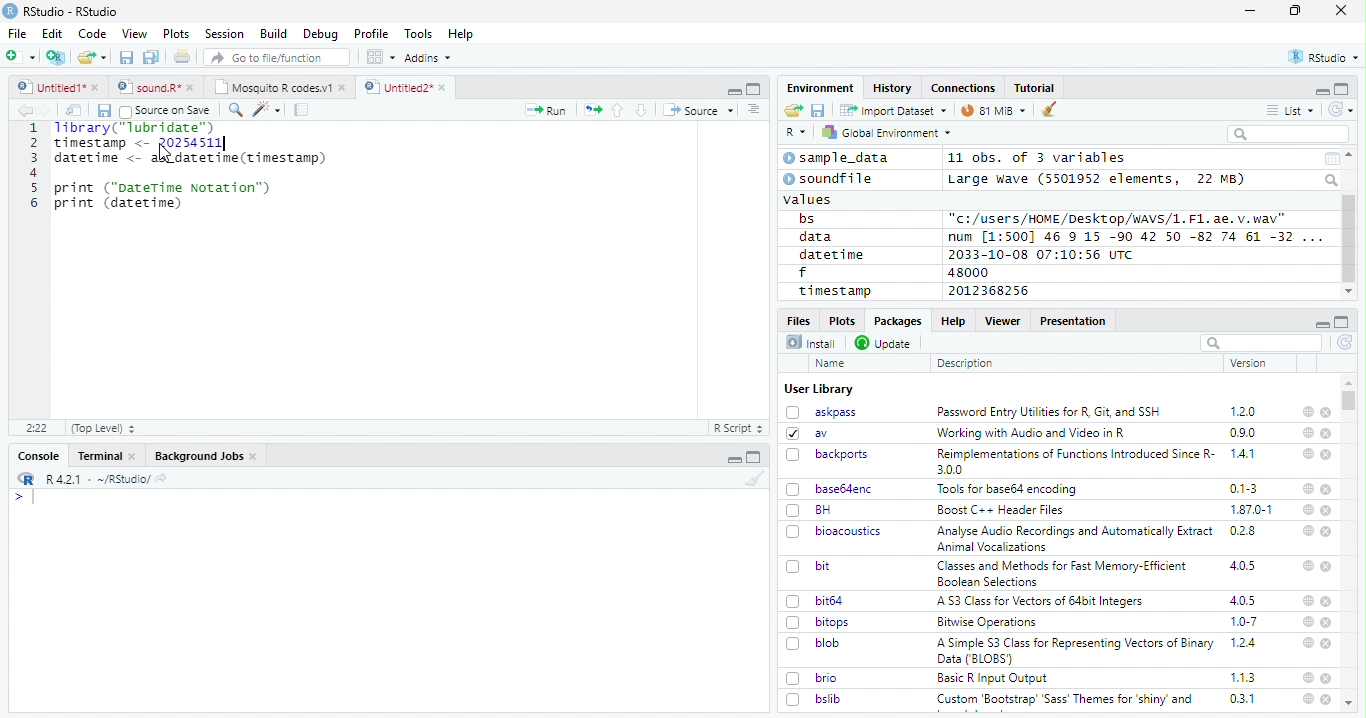 This screenshot has height=718, width=1366. Describe the element at coordinates (1243, 433) in the screenshot. I see `0.9.0` at that location.